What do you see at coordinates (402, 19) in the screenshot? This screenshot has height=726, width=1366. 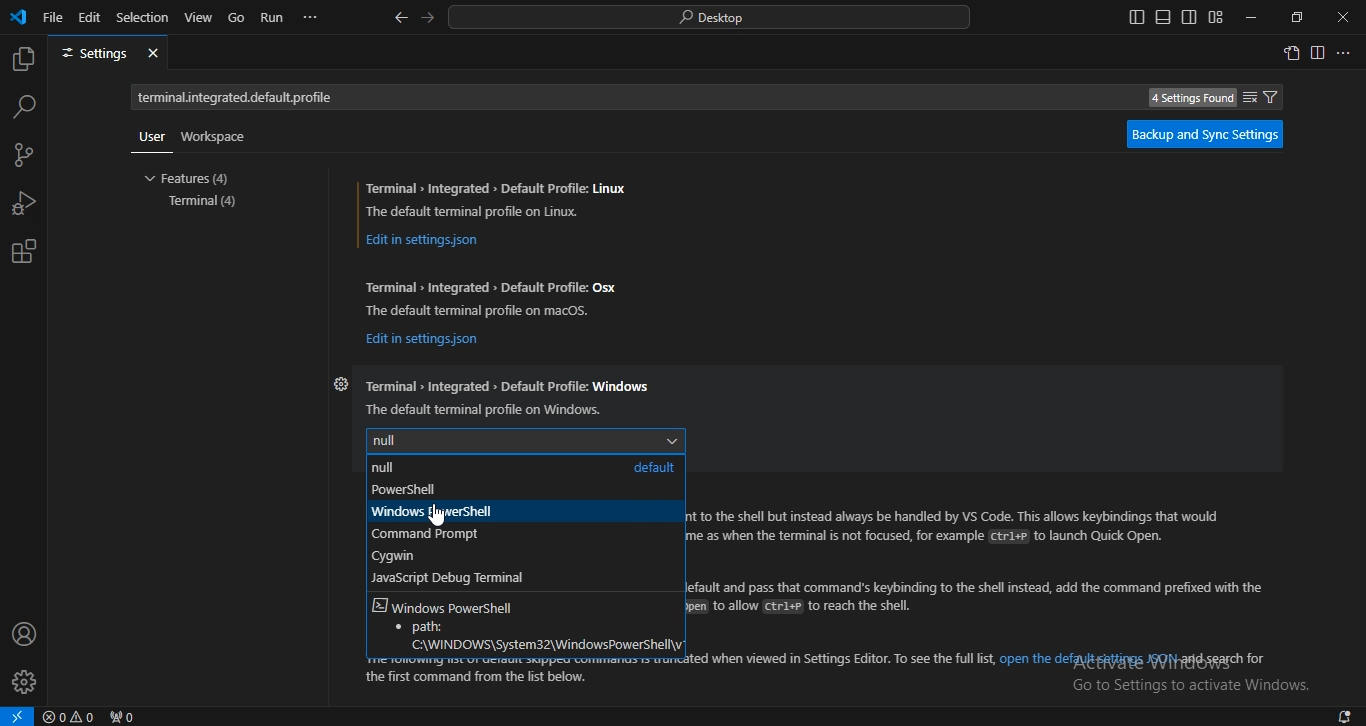 I see `go back` at bounding box center [402, 19].